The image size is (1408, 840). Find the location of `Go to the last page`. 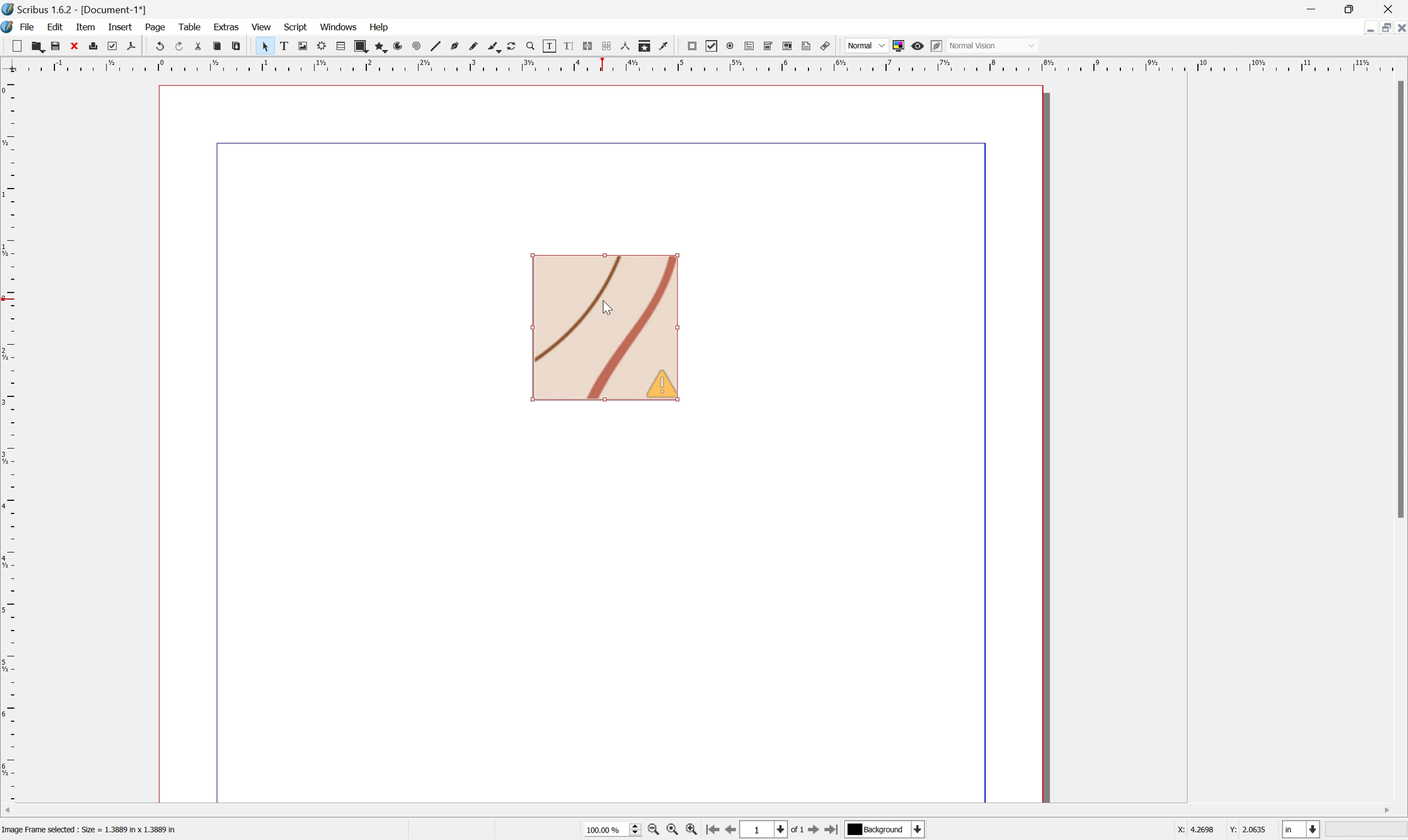

Go to the last page is located at coordinates (831, 831).